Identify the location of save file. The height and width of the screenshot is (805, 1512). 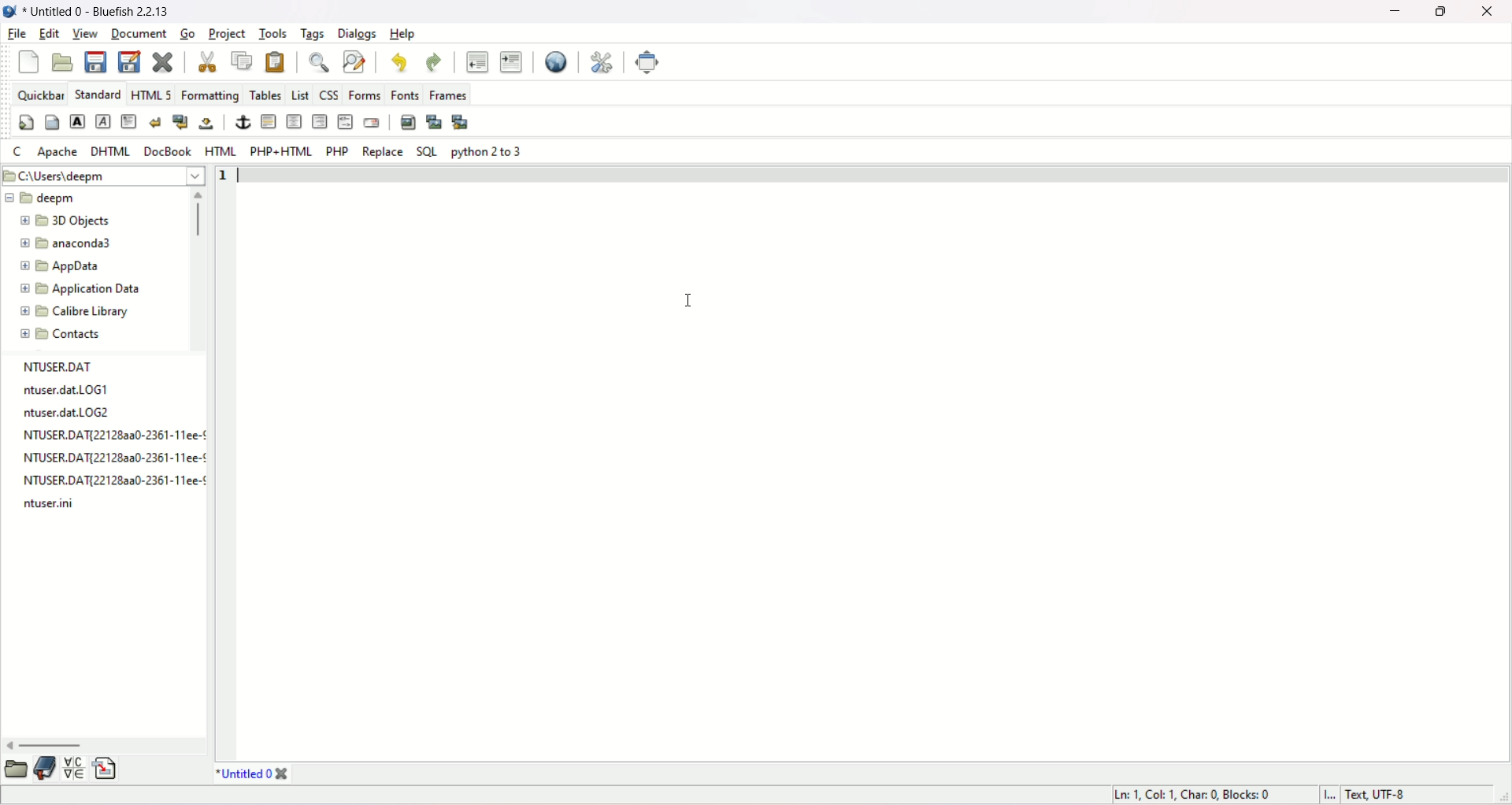
(97, 62).